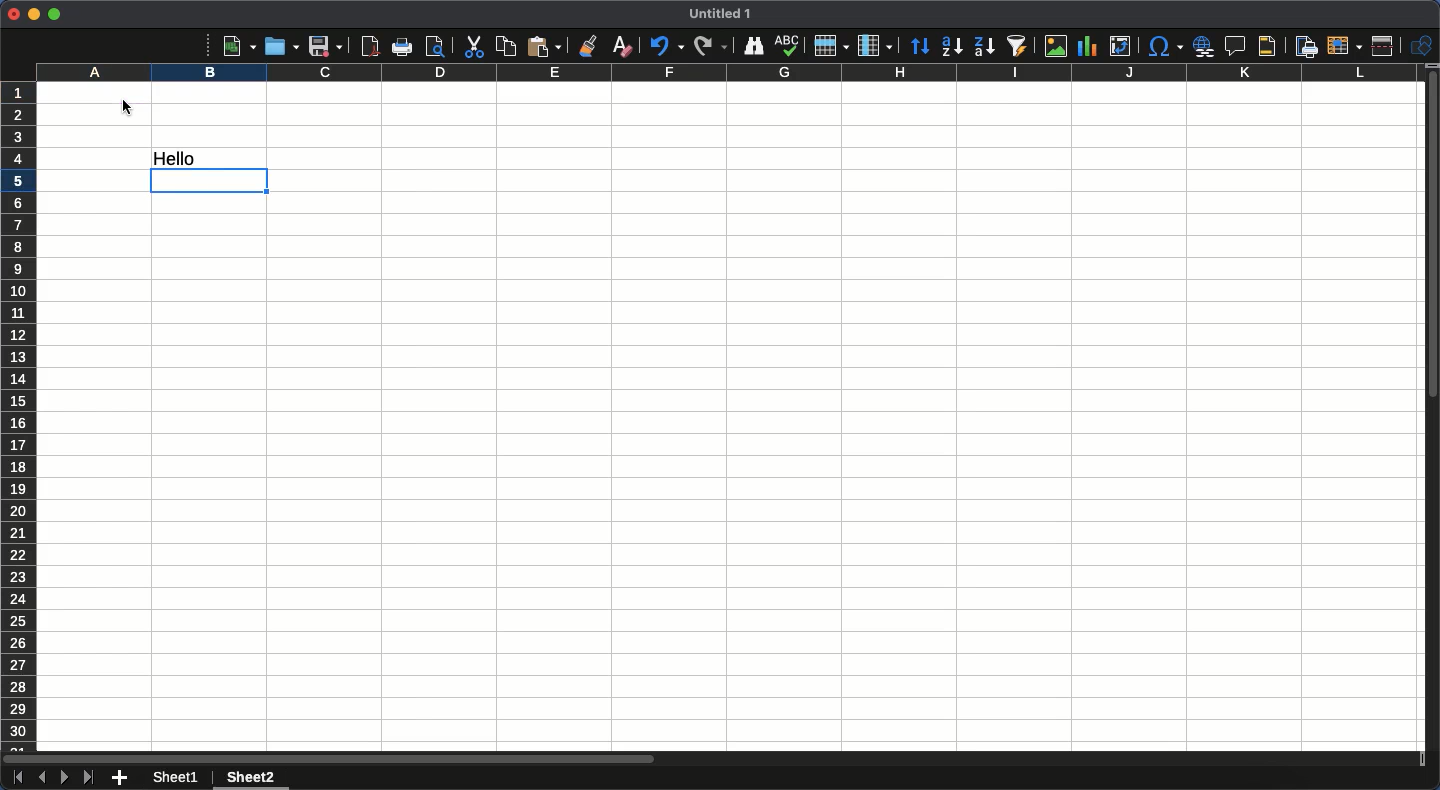 The image size is (1440, 790). Describe the element at coordinates (623, 45) in the screenshot. I see `Clear formatting` at that location.